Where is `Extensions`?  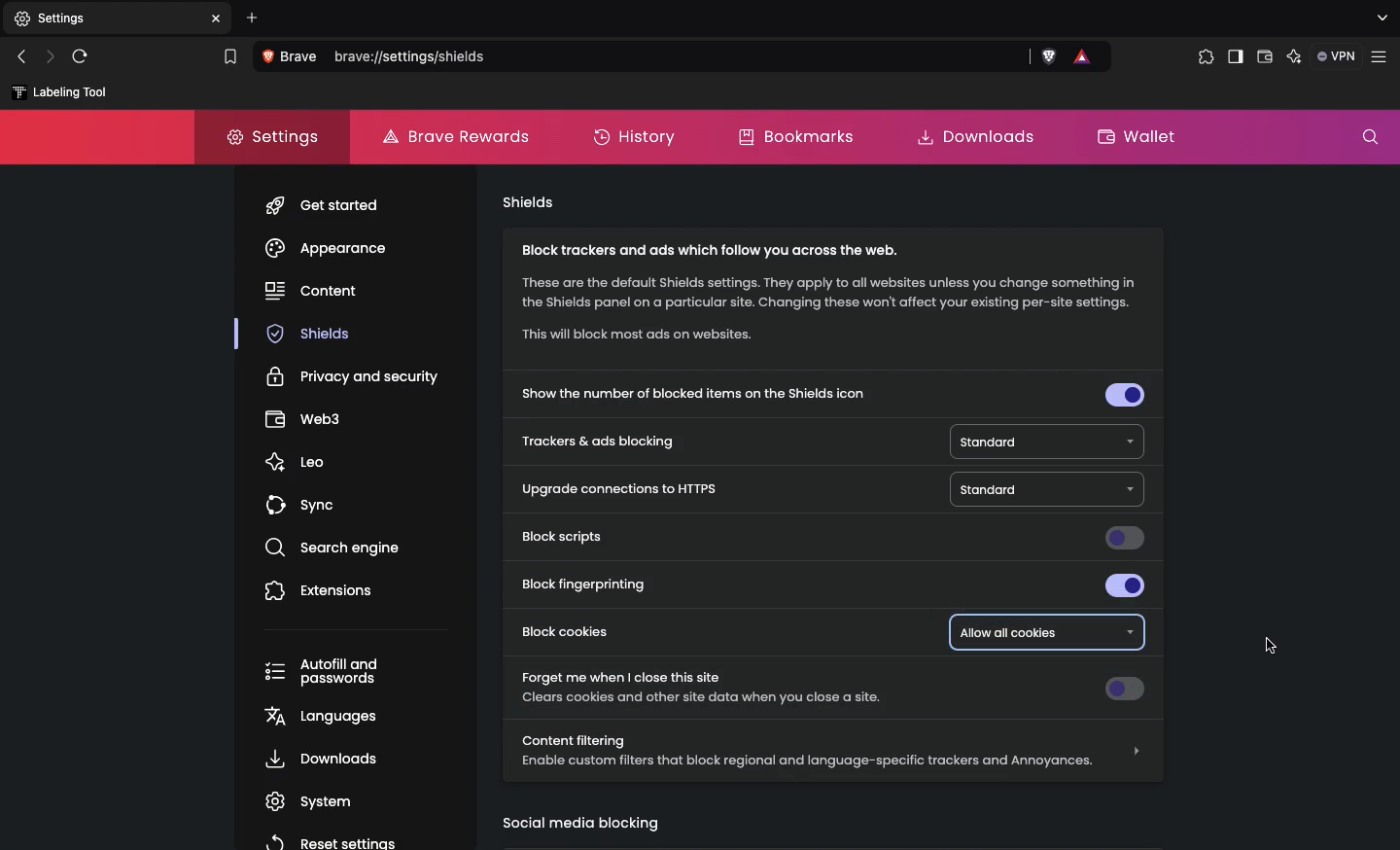 Extensions is located at coordinates (1206, 60).